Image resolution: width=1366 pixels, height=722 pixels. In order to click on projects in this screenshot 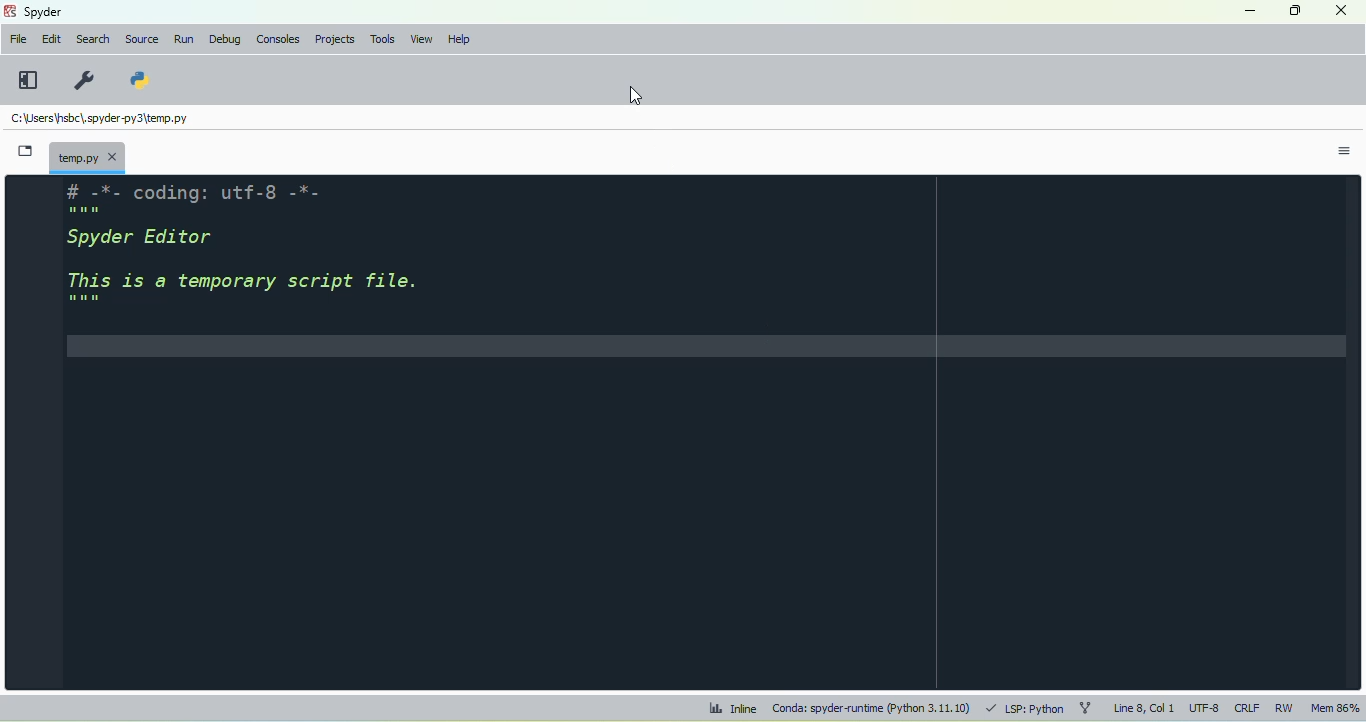, I will do `click(336, 39)`.